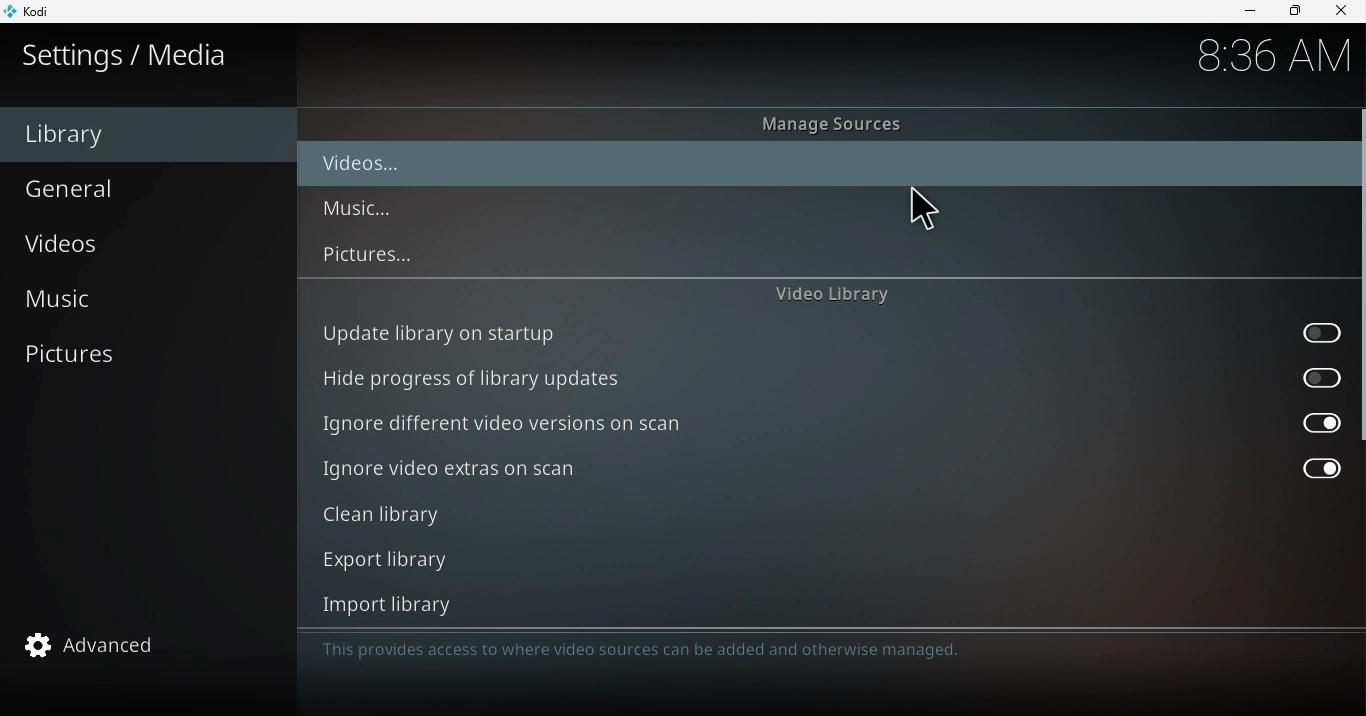  What do you see at coordinates (373, 166) in the screenshot?
I see `Videos` at bounding box center [373, 166].